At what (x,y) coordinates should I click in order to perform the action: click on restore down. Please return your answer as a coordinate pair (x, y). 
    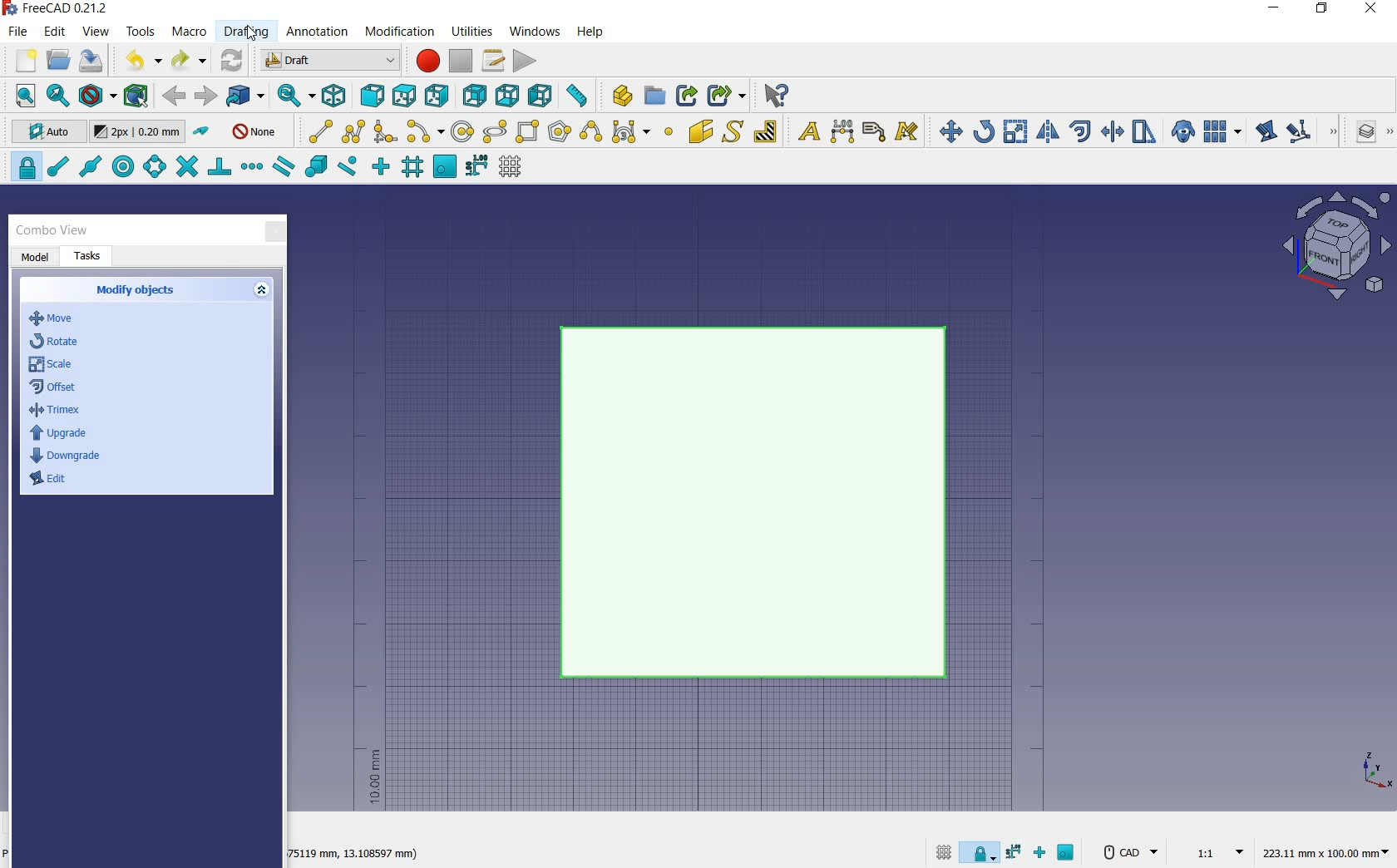
    Looking at the image, I should click on (1323, 10).